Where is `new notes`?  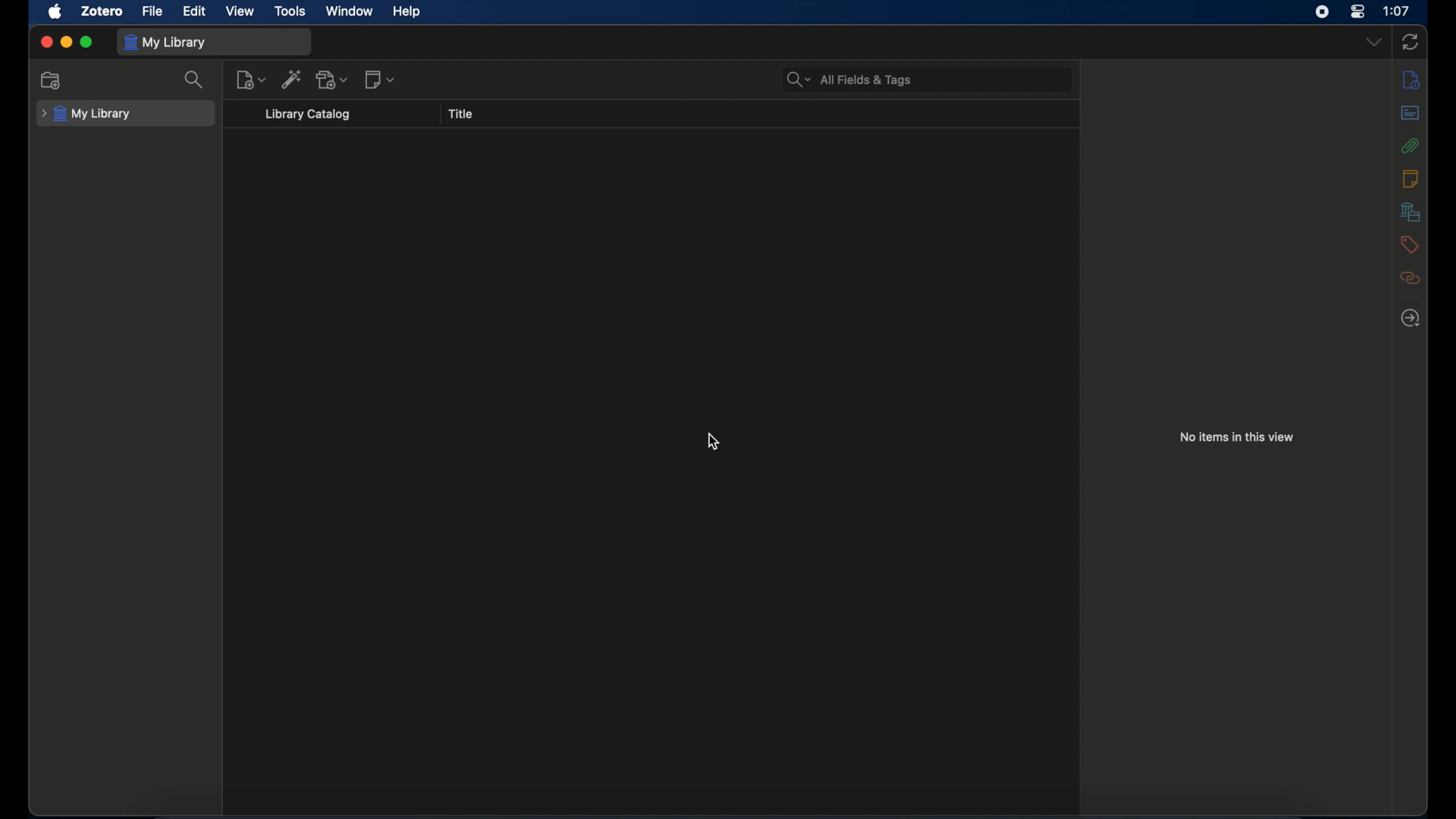
new notes is located at coordinates (379, 80).